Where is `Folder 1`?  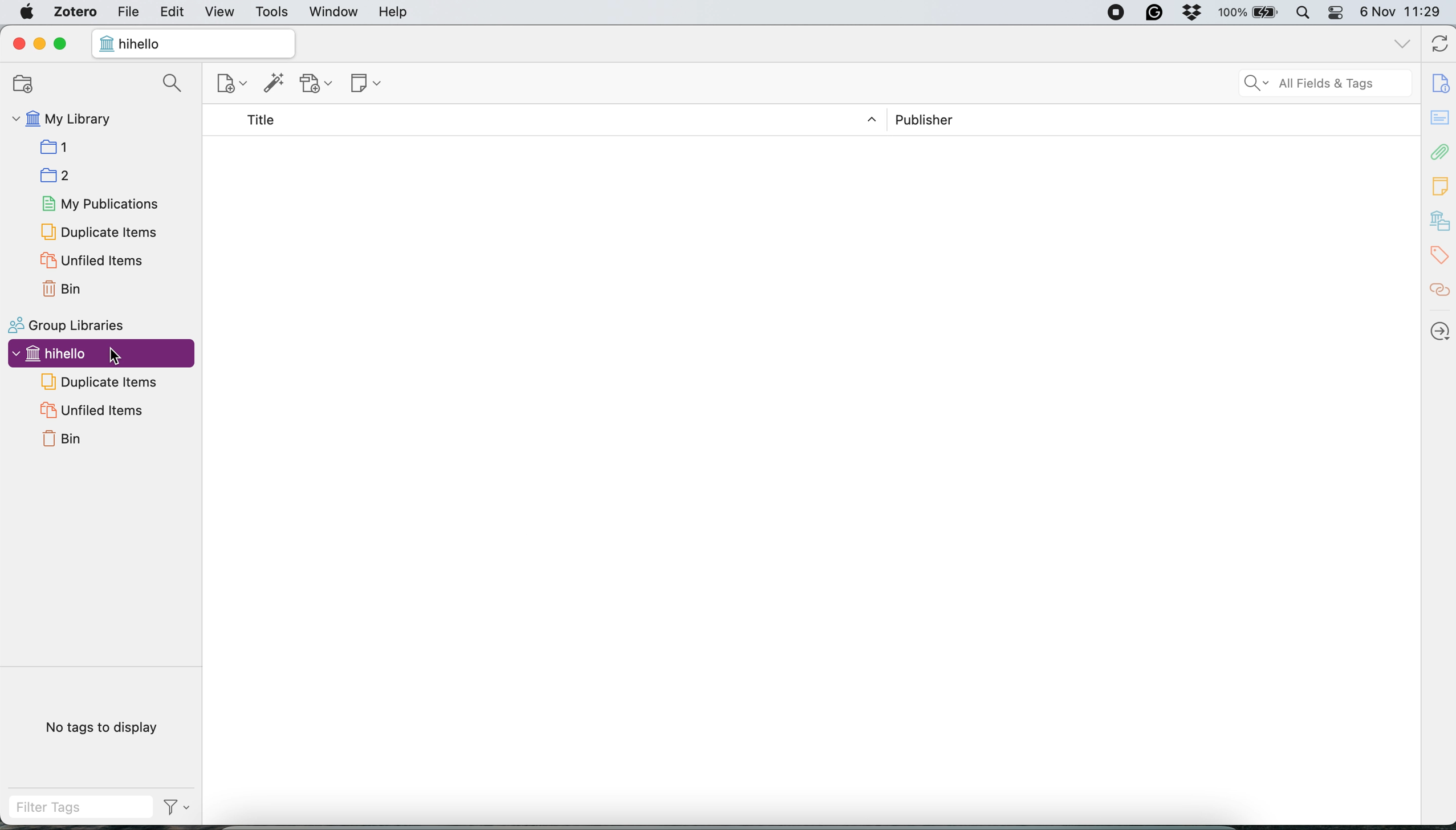
Folder 1 is located at coordinates (58, 148).